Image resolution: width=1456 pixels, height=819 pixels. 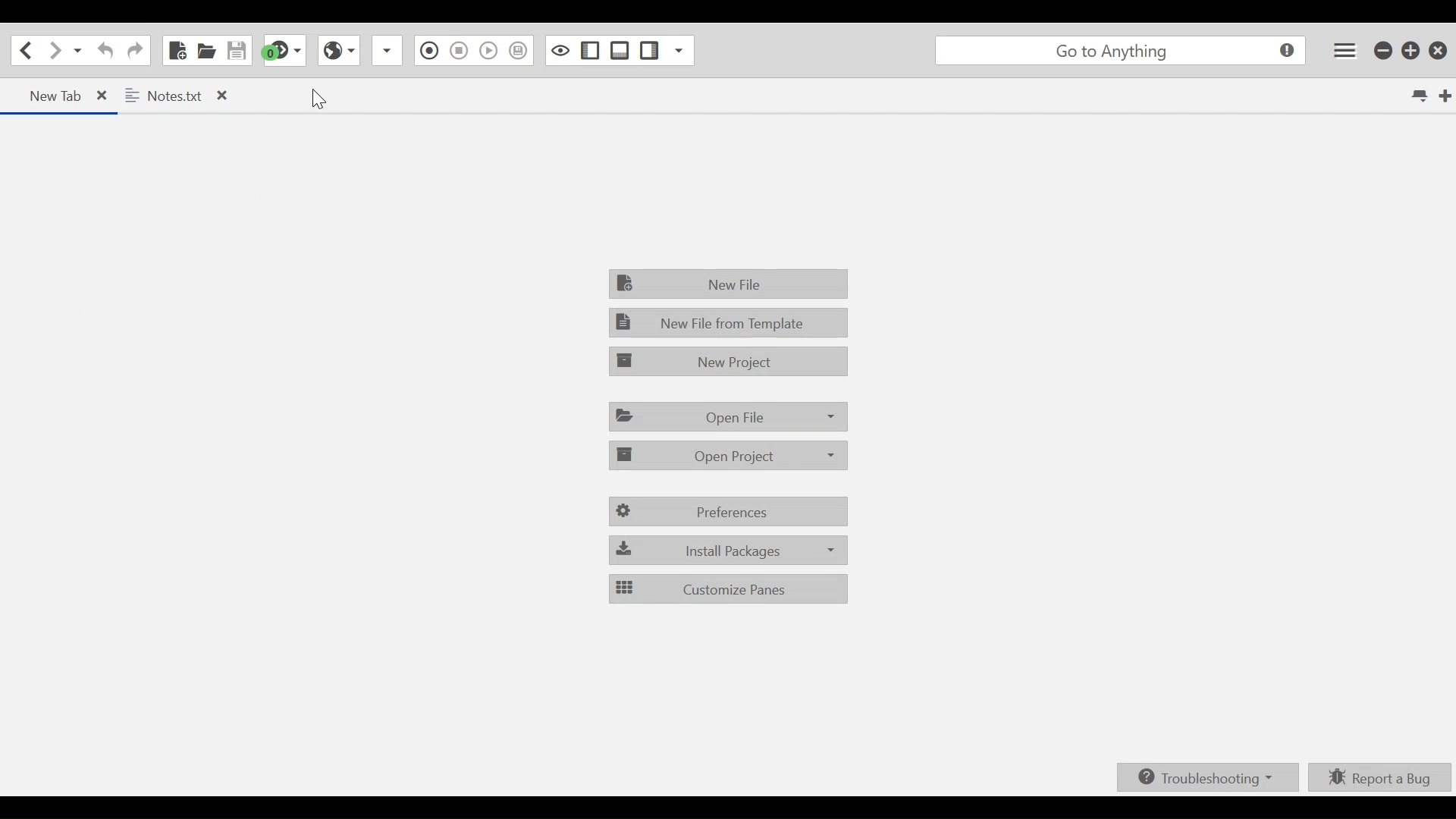 What do you see at coordinates (318, 100) in the screenshot?
I see `cursor` at bounding box center [318, 100].